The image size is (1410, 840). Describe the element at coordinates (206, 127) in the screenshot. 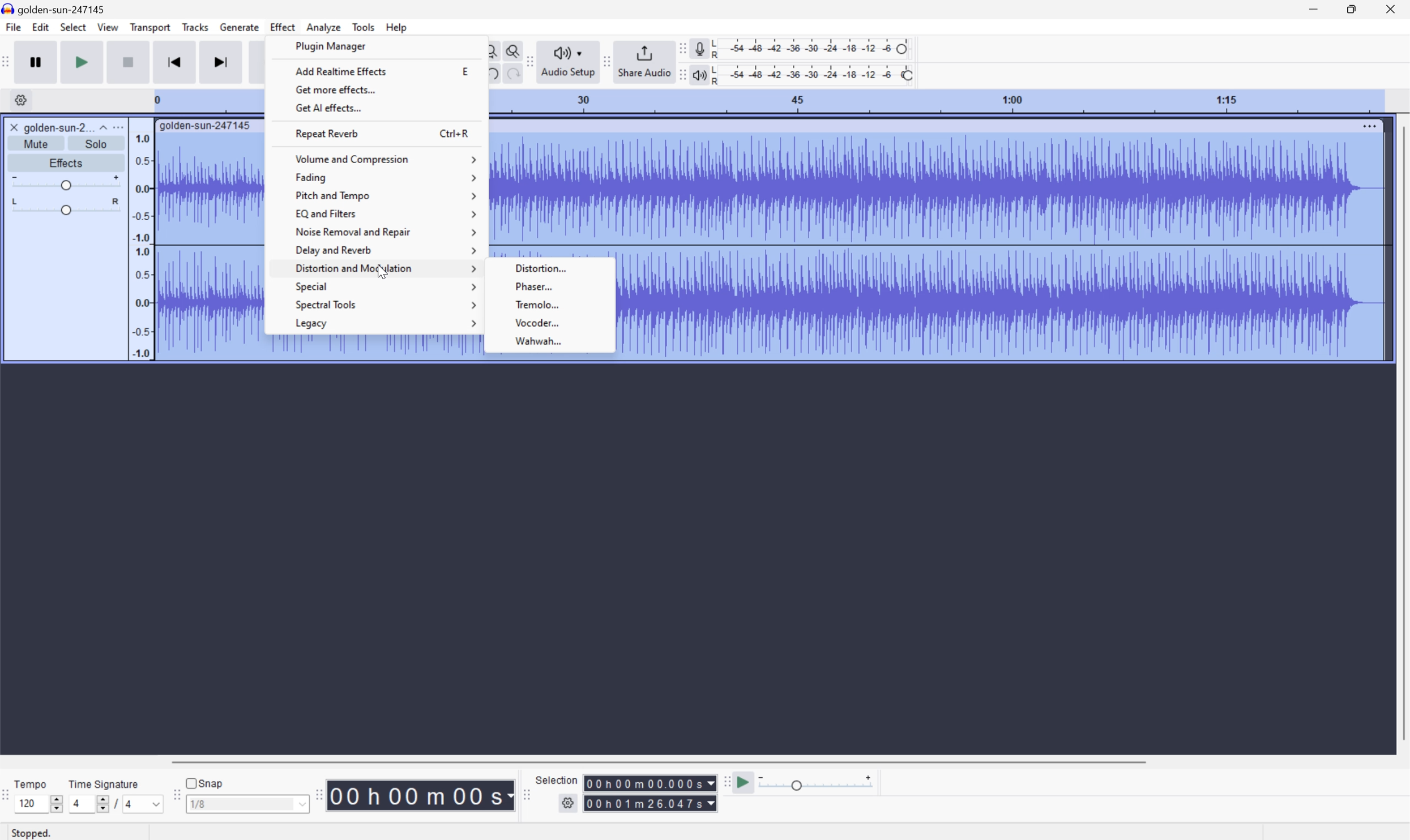

I see `golden-sun-247145` at that location.